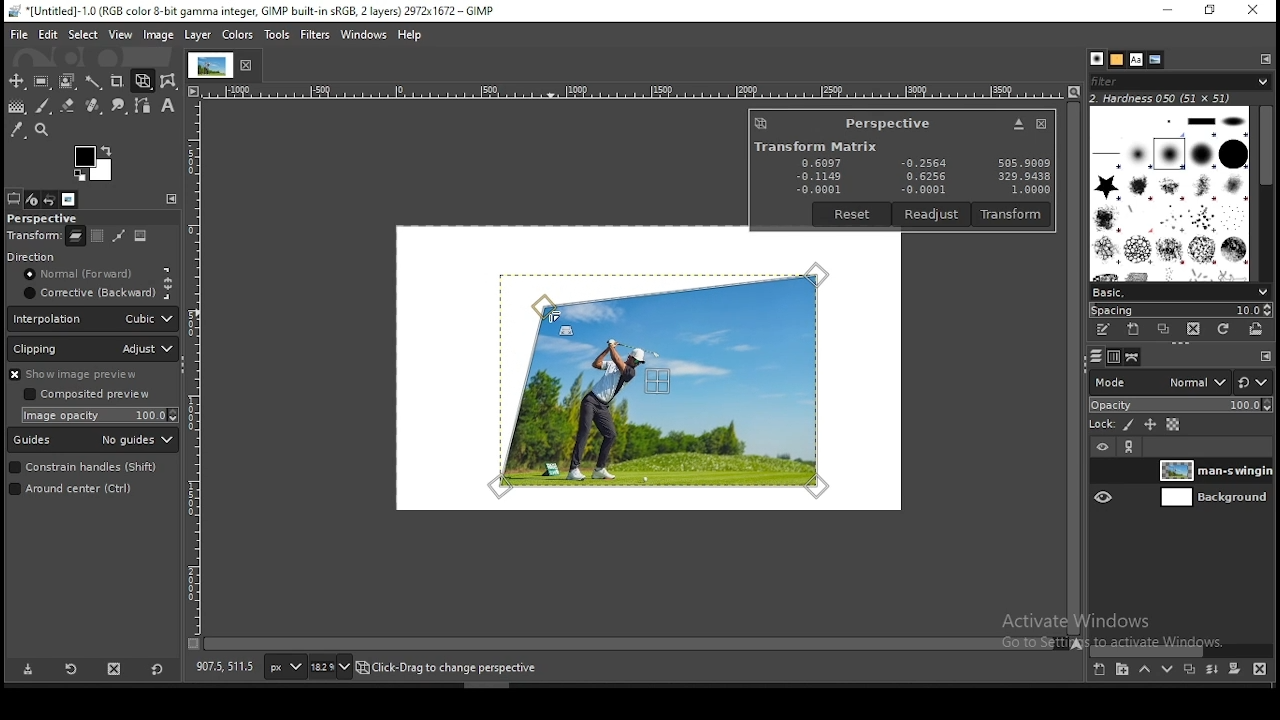  Describe the element at coordinates (158, 35) in the screenshot. I see `image` at that location.